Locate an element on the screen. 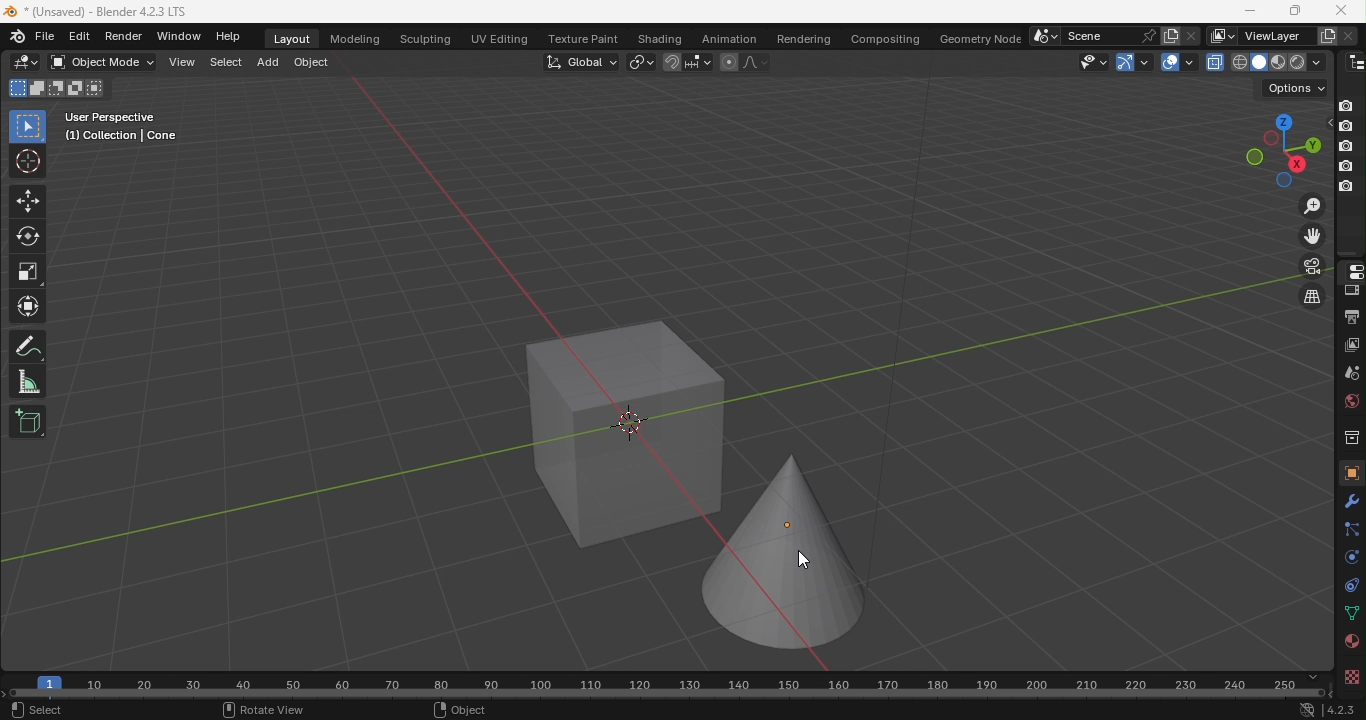 This screenshot has width=1366, height=720. Mode is located at coordinates (38, 89).